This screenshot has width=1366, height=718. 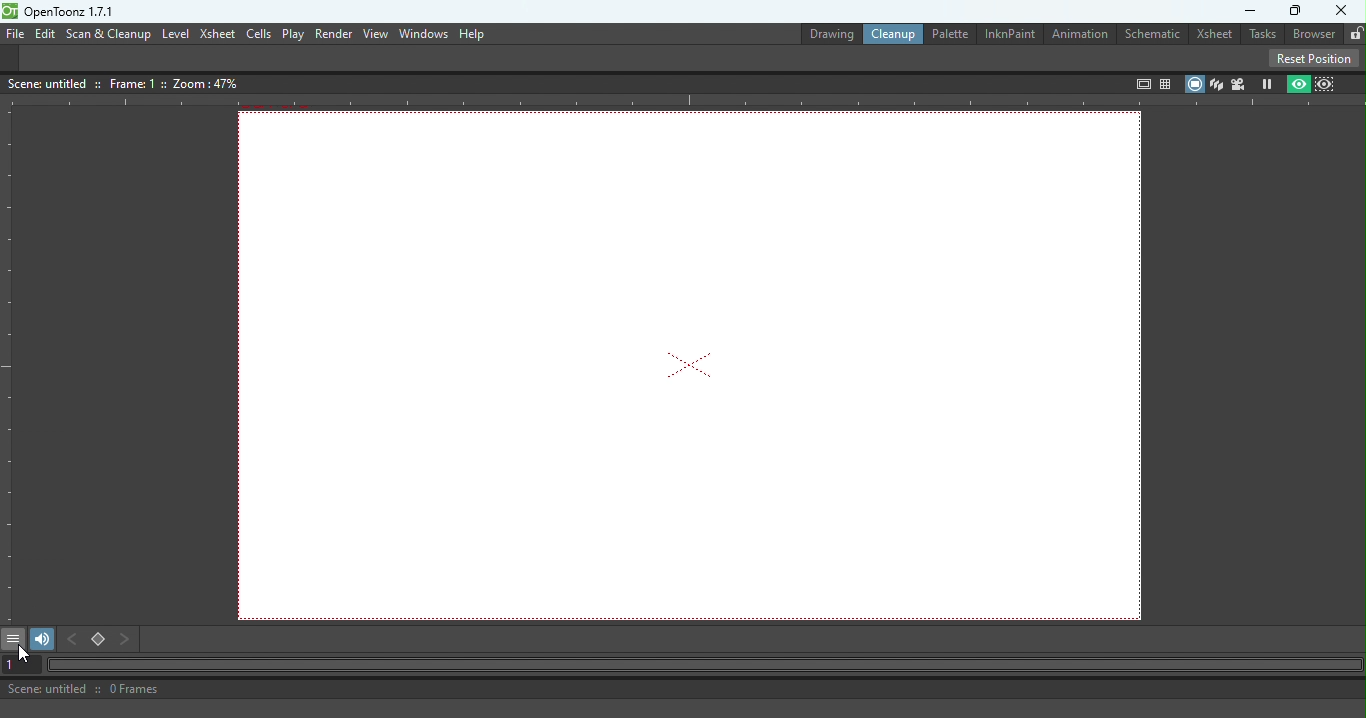 I want to click on InknPaint, so click(x=1013, y=33).